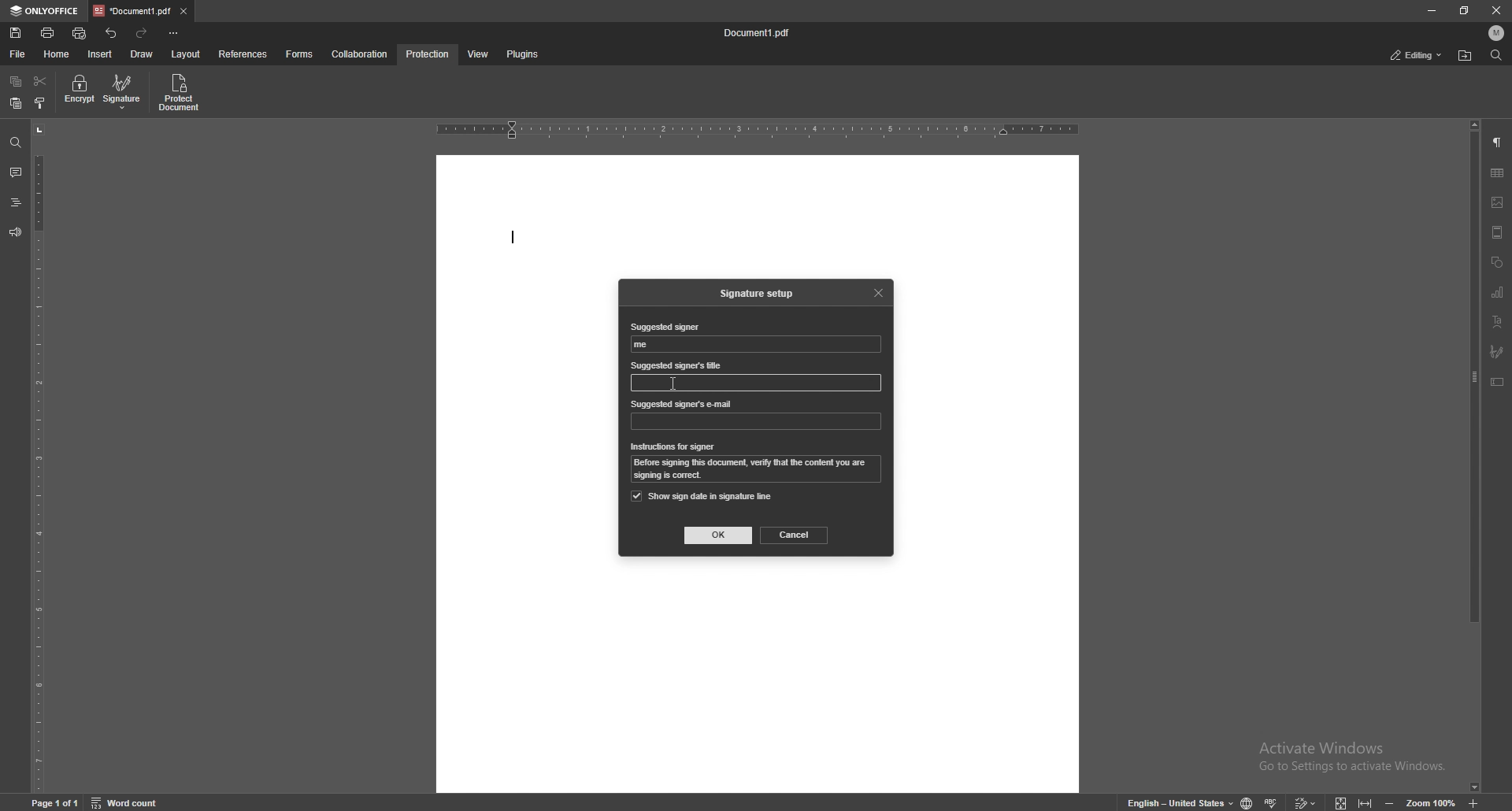 The height and width of the screenshot is (811, 1512). Describe the element at coordinates (1420, 802) in the screenshot. I see `zoom` at that location.